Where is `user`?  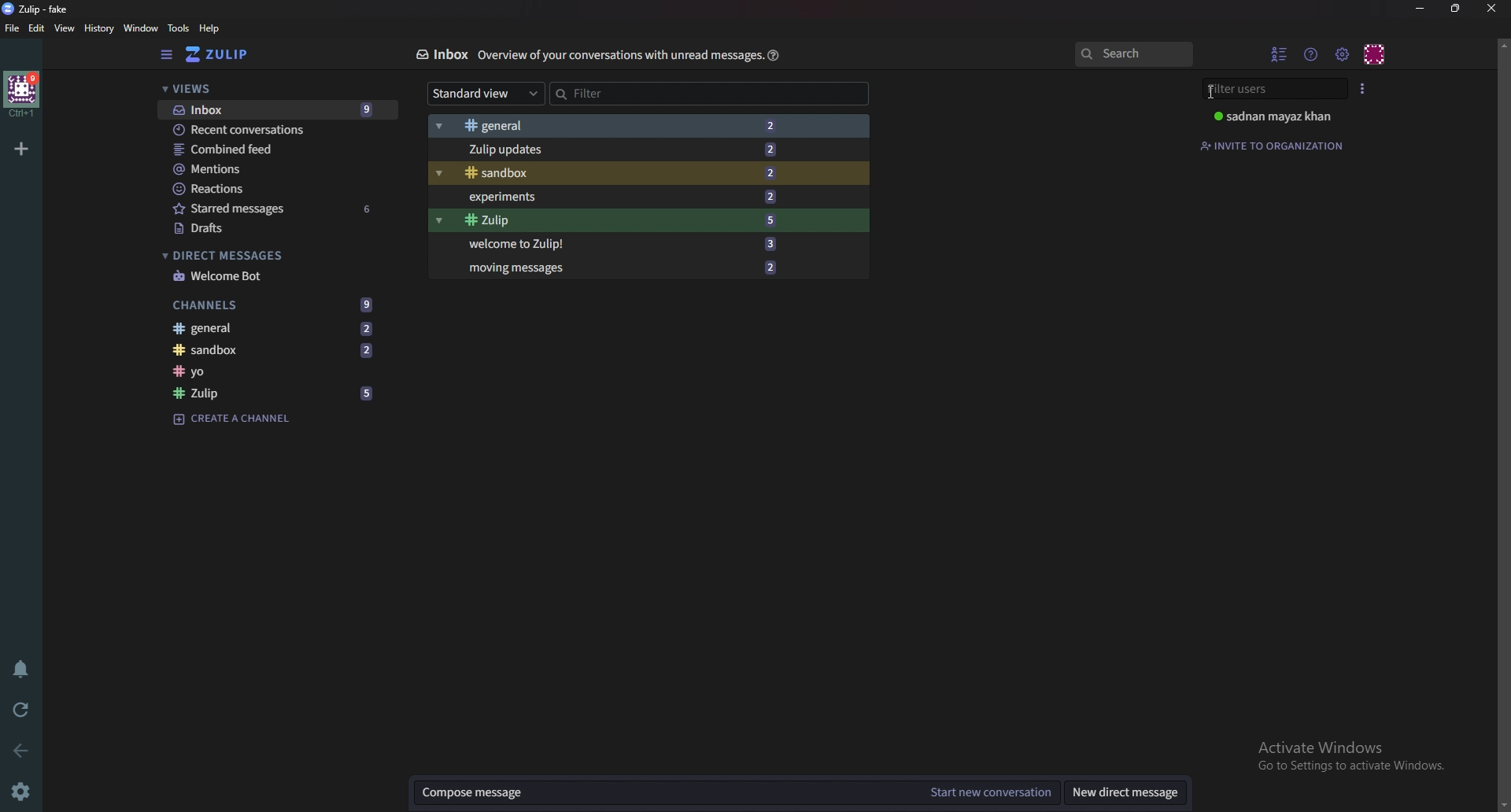 user is located at coordinates (1278, 118).